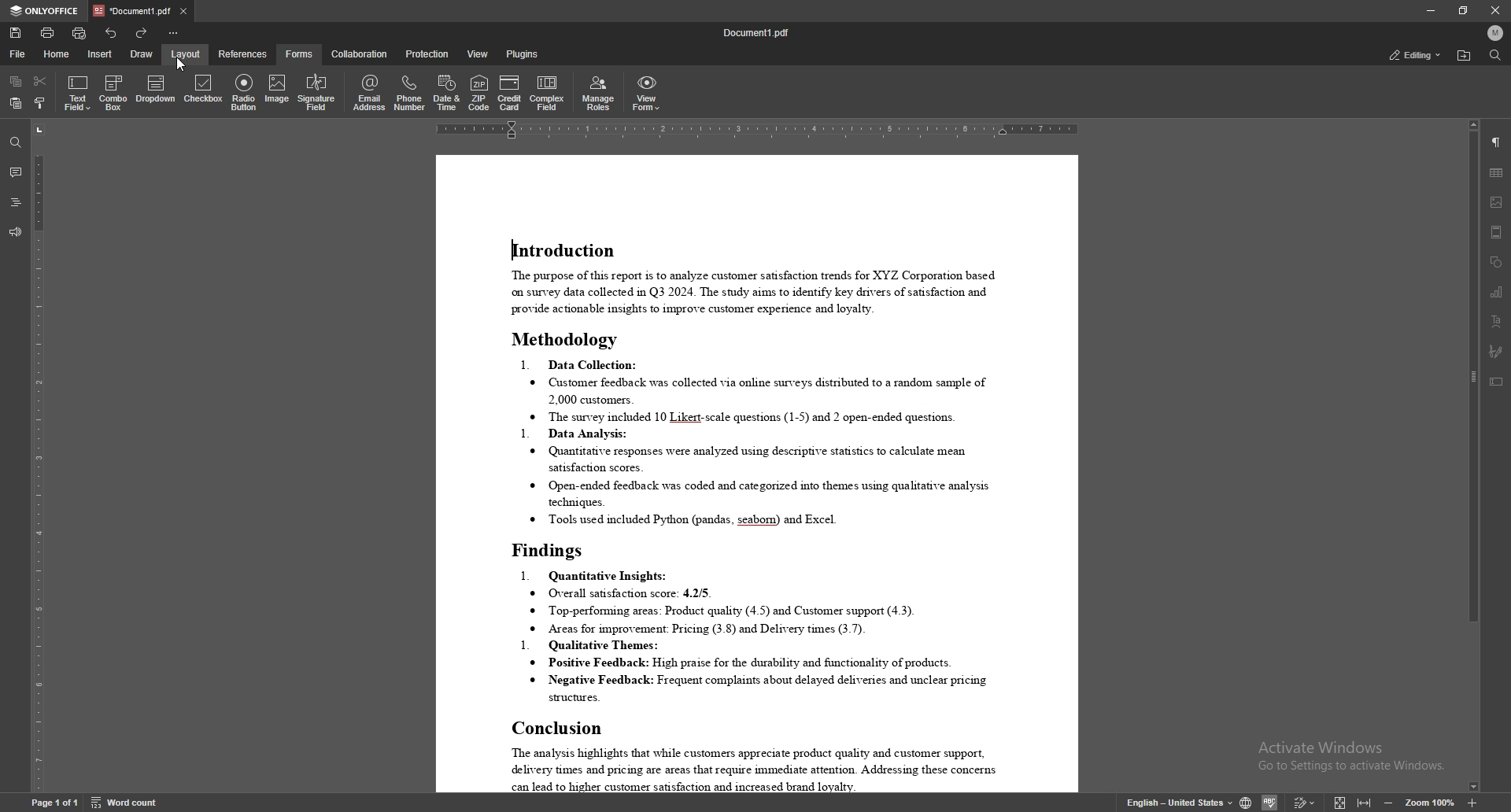 Image resolution: width=1511 pixels, height=812 pixels. Describe the element at coordinates (16, 172) in the screenshot. I see `comments` at that location.